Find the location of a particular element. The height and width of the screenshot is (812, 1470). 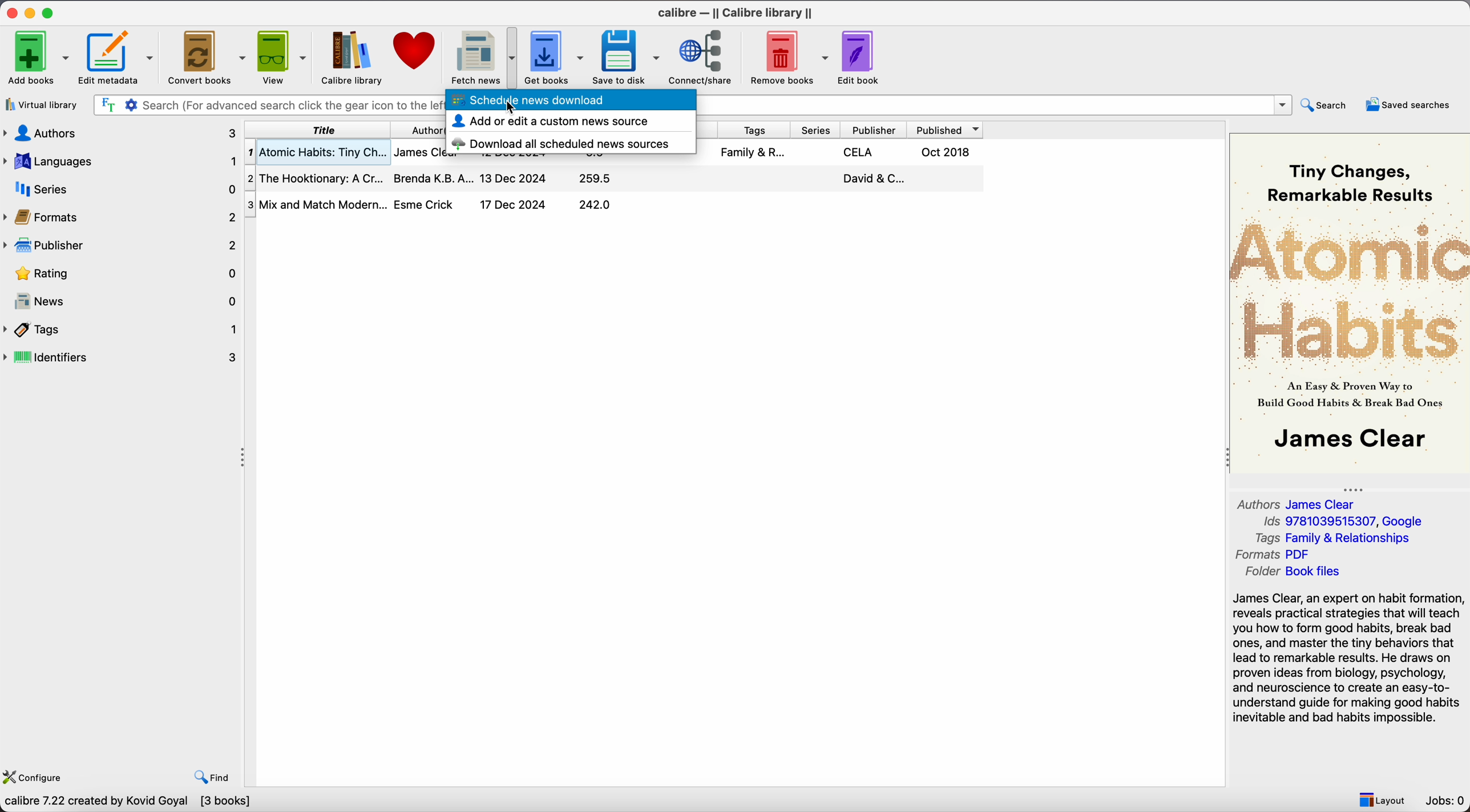

connect/share is located at coordinates (704, 56).